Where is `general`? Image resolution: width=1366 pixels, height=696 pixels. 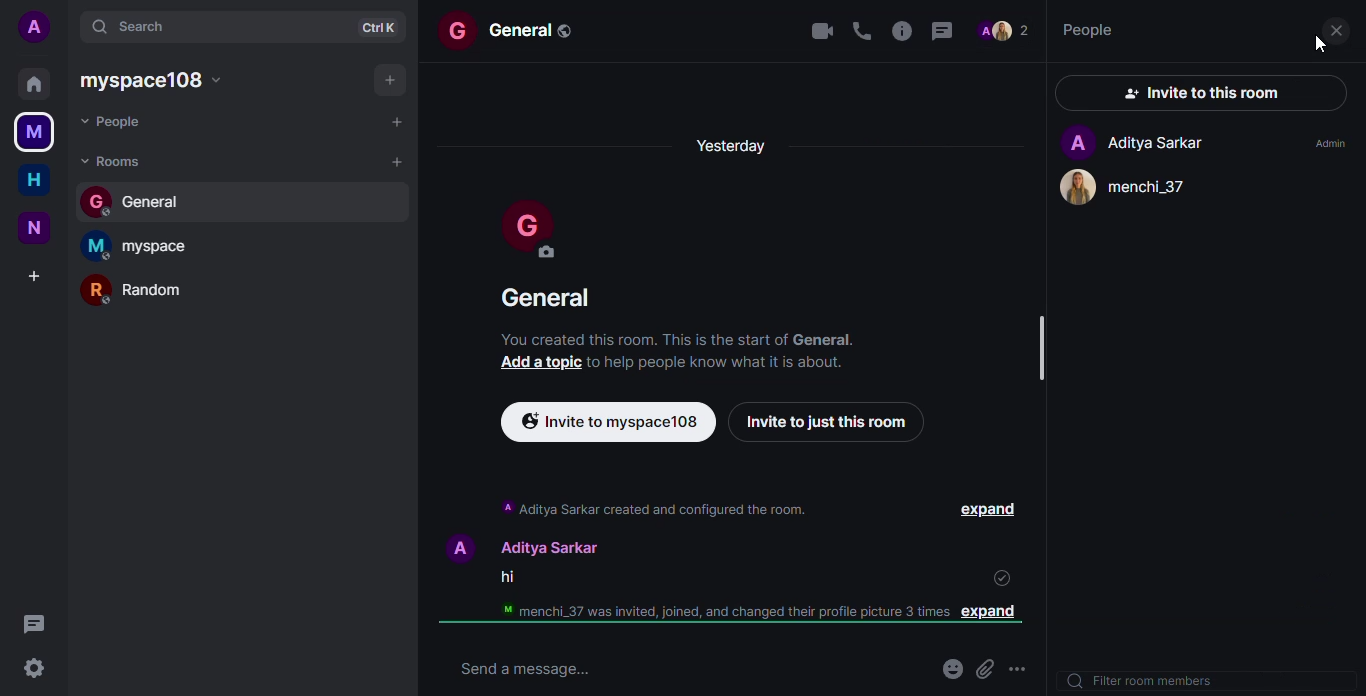 general is located at coordinates (142, 200).